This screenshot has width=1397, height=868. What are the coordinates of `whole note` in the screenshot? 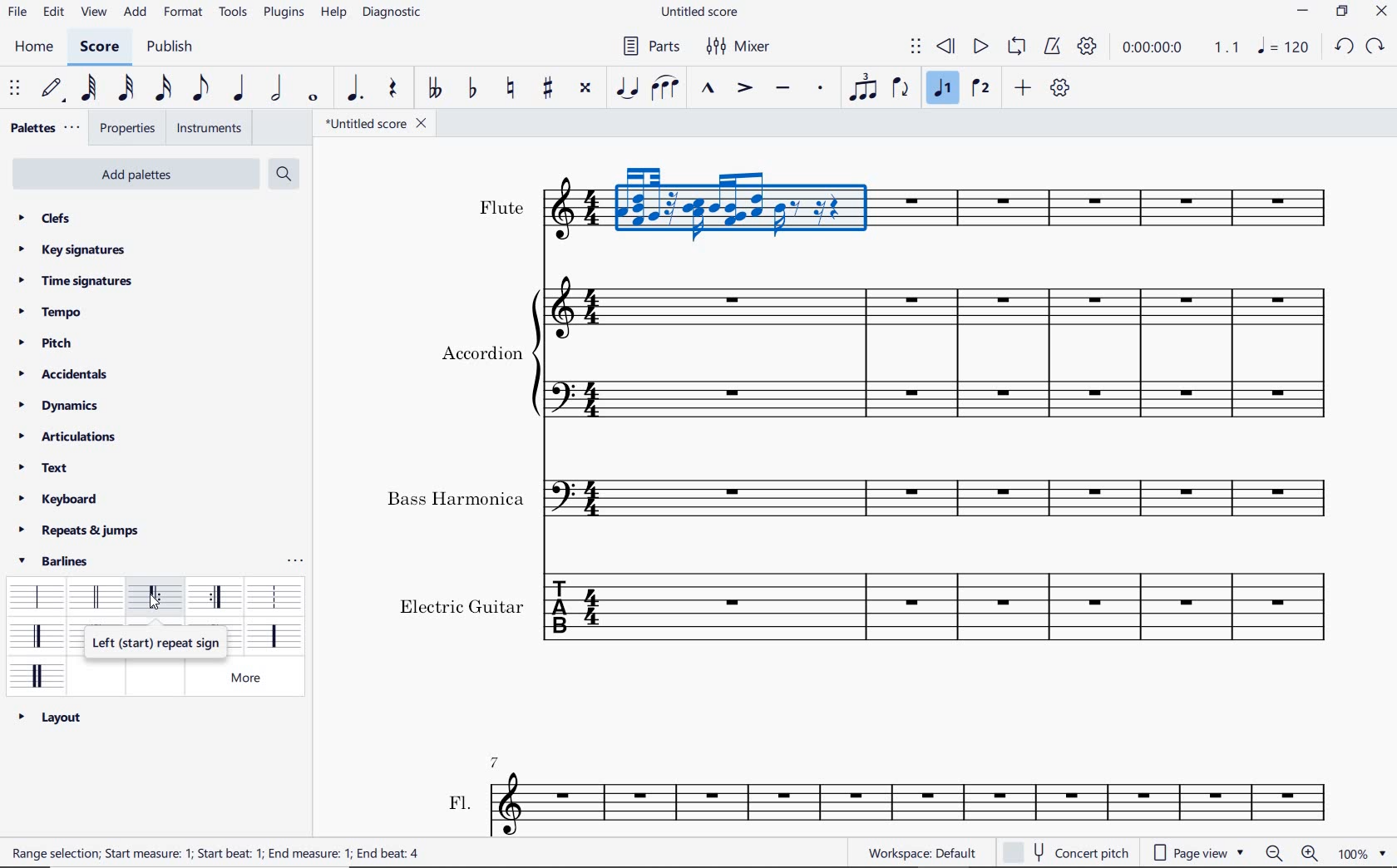 It's located at (313, 99).